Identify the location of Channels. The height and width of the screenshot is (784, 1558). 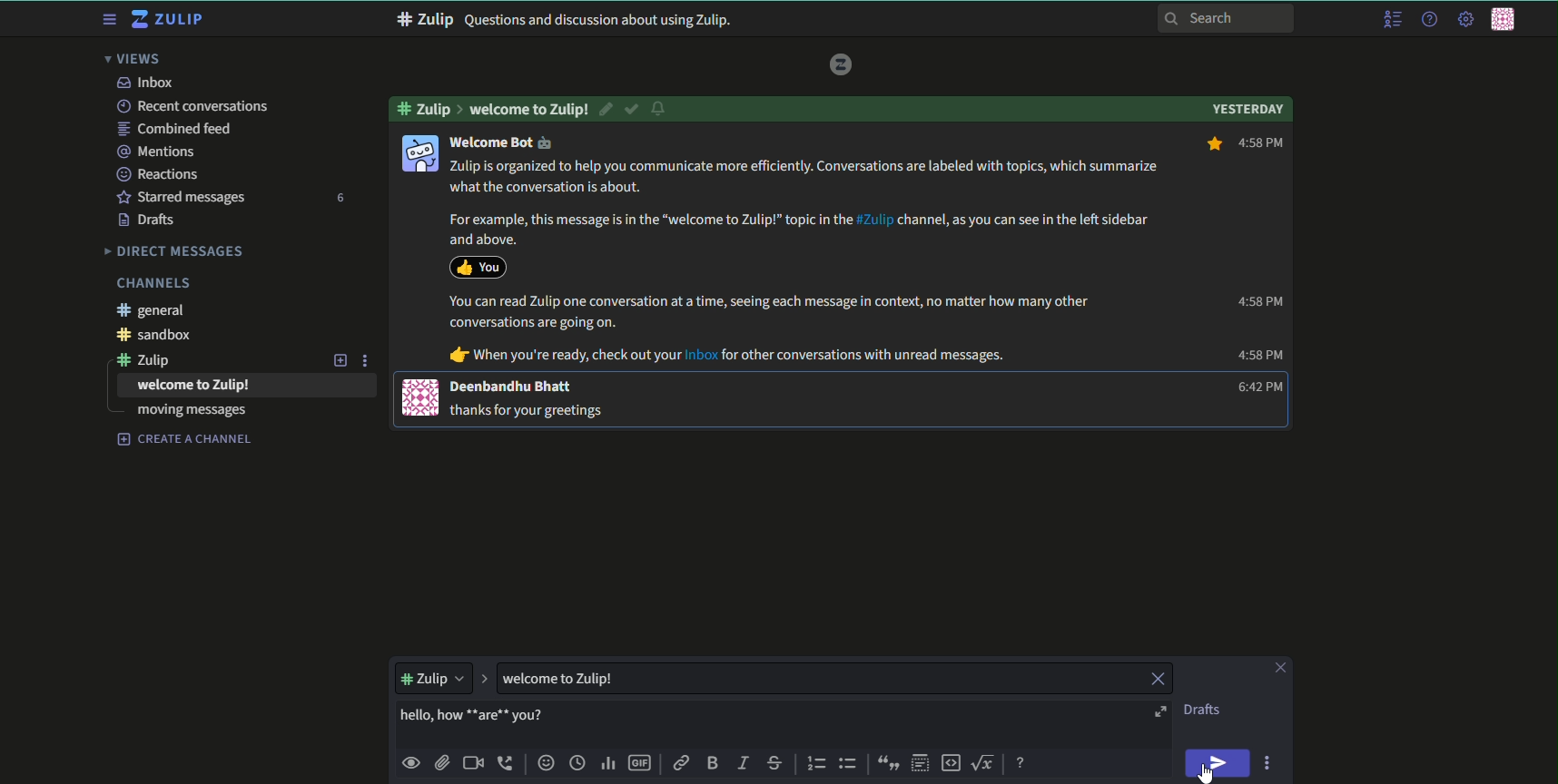
(153, 283).